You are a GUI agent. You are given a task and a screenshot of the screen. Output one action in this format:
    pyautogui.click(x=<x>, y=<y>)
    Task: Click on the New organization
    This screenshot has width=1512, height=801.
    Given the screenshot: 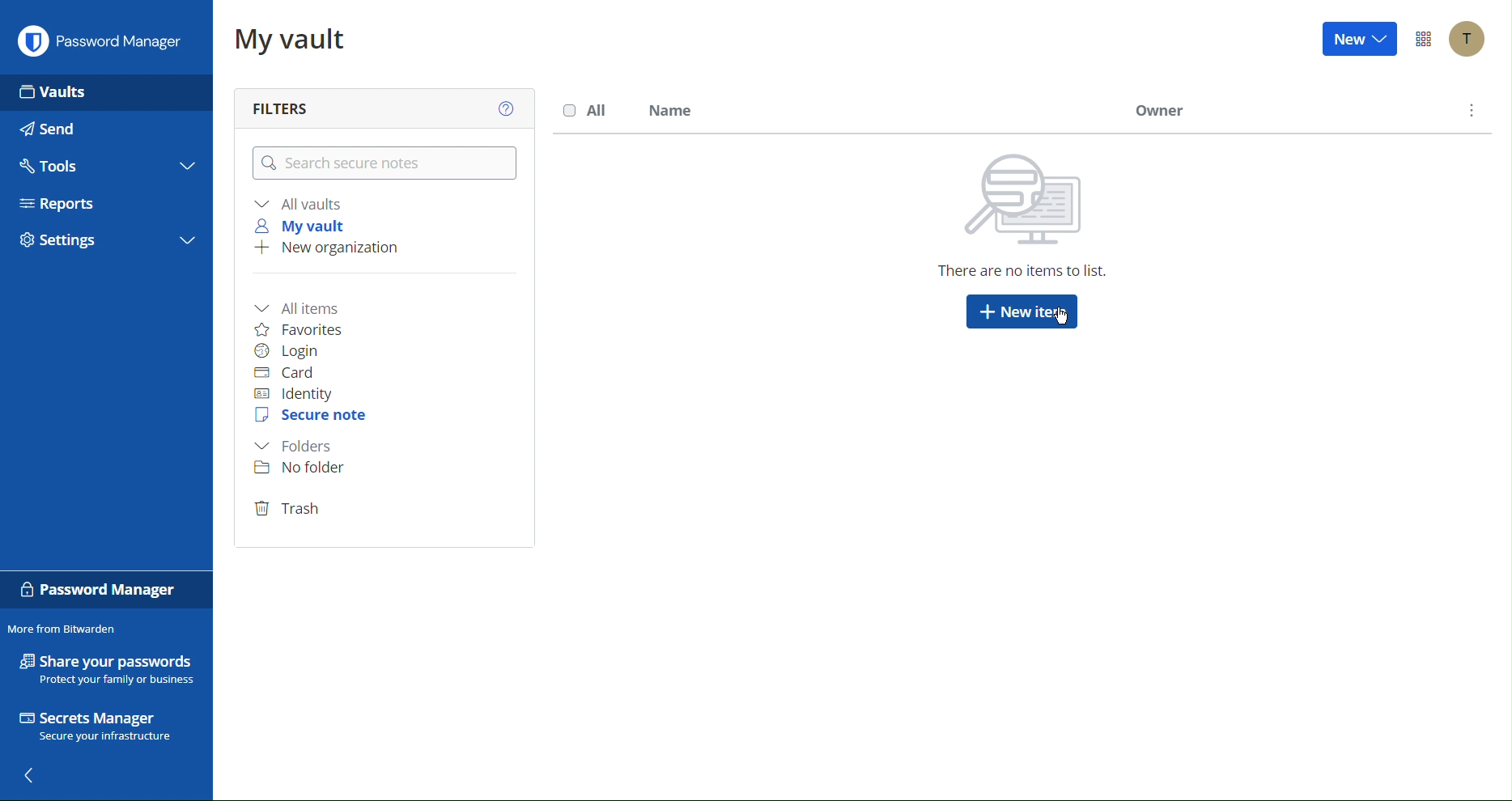 What is the action you would take?
    pyautogui.click(x=334, y=248)
    